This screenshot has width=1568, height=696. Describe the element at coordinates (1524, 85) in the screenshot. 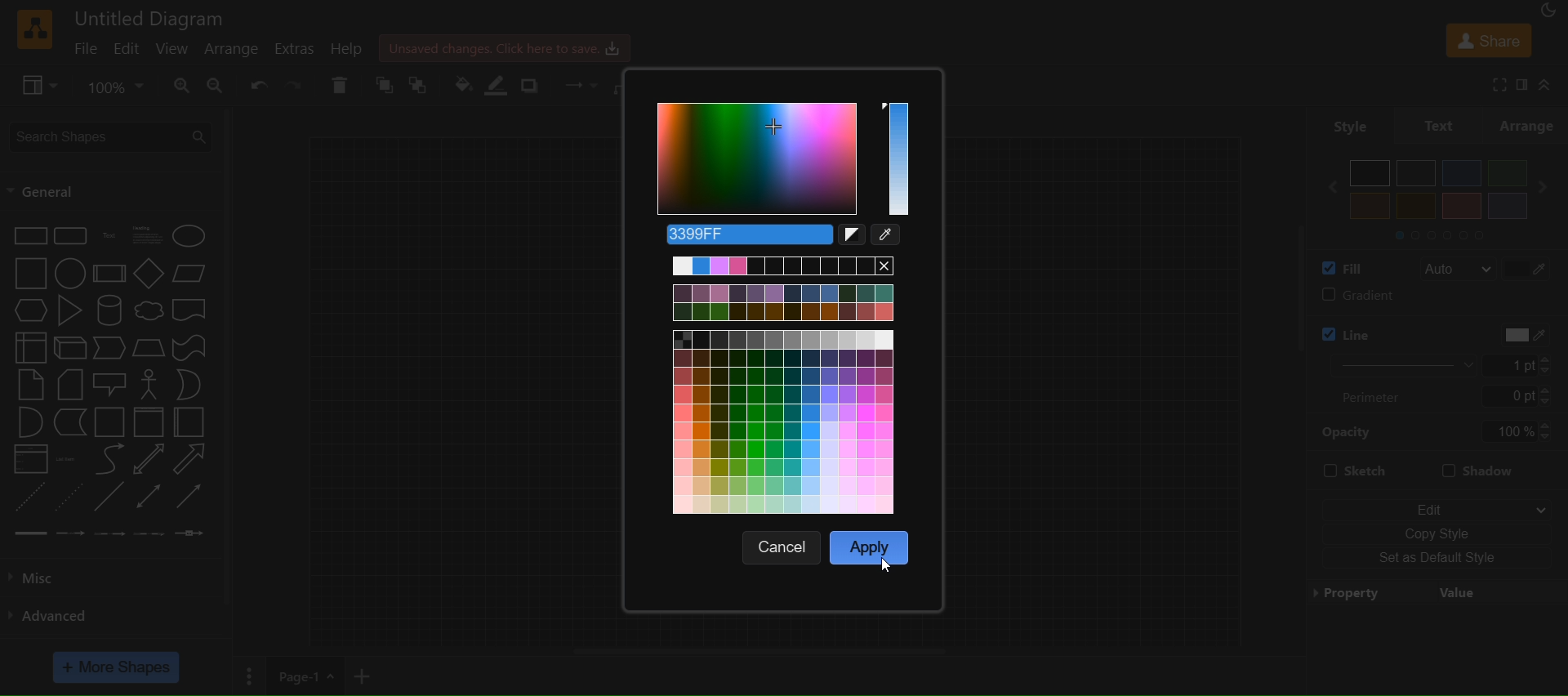

I see `format` at that location.